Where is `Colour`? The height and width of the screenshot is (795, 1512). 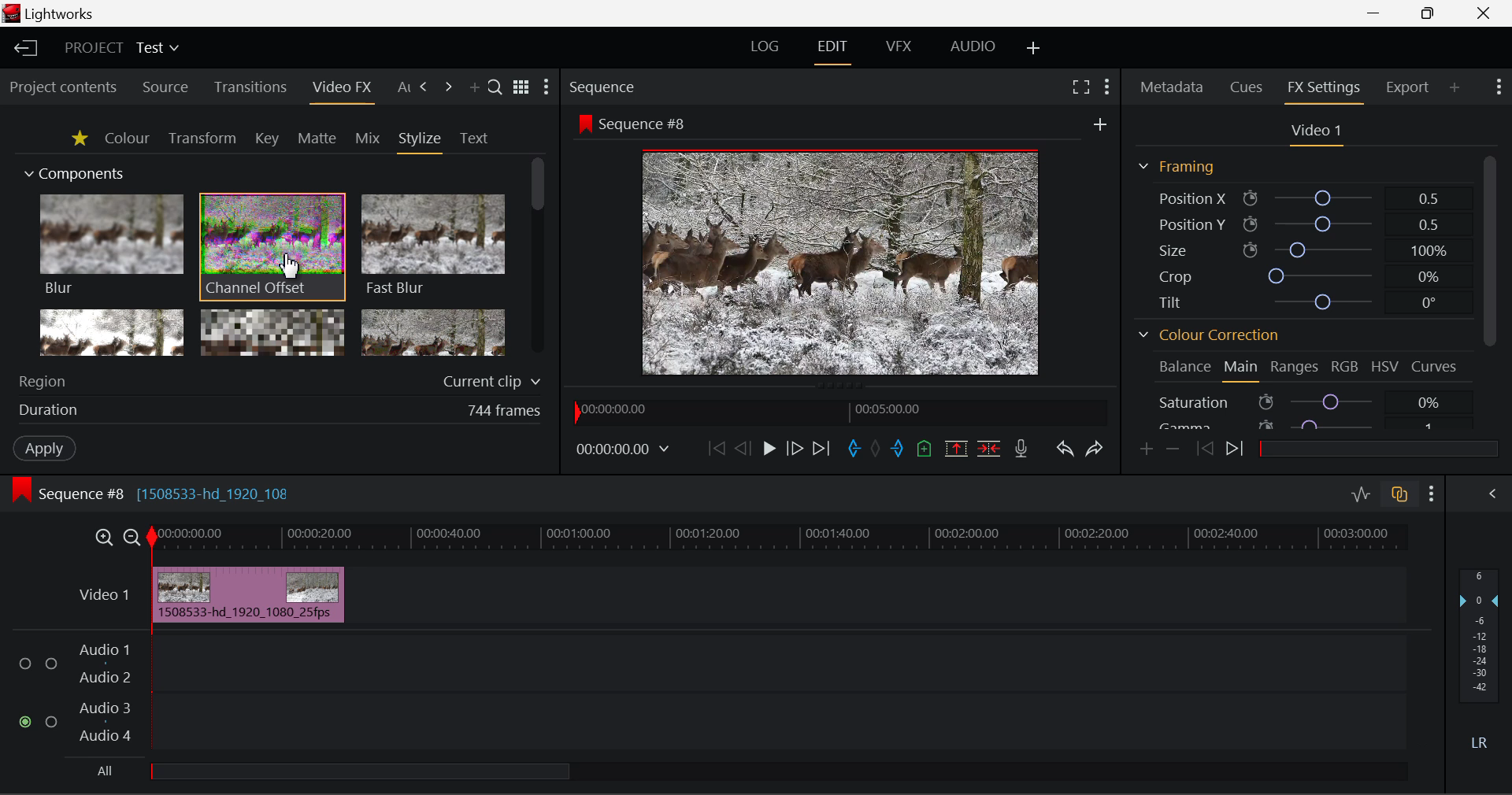
Colour is located at coordinates (126, 138).